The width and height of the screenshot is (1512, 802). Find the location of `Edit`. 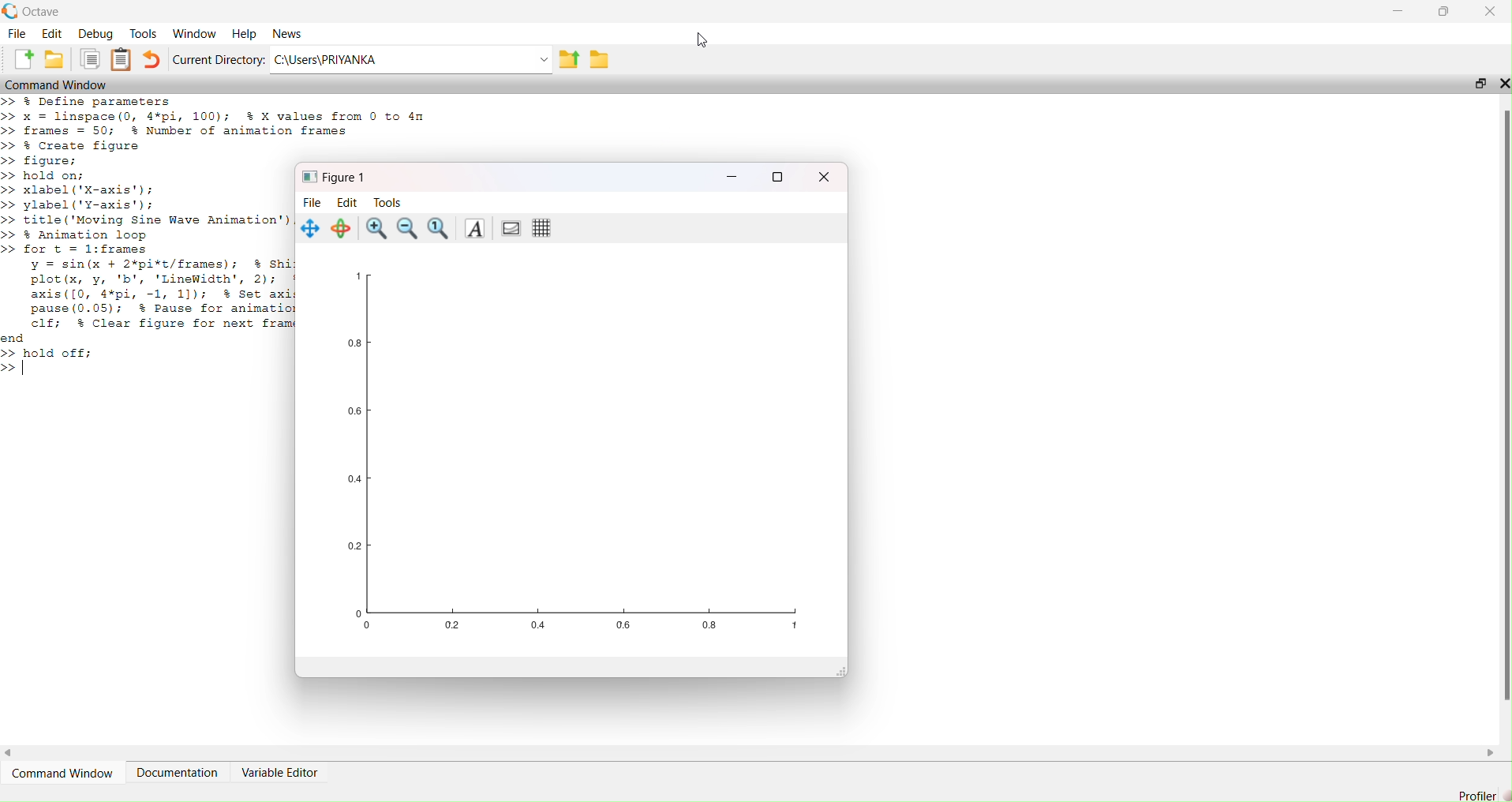

Edit is located at coordinates (348, 203).